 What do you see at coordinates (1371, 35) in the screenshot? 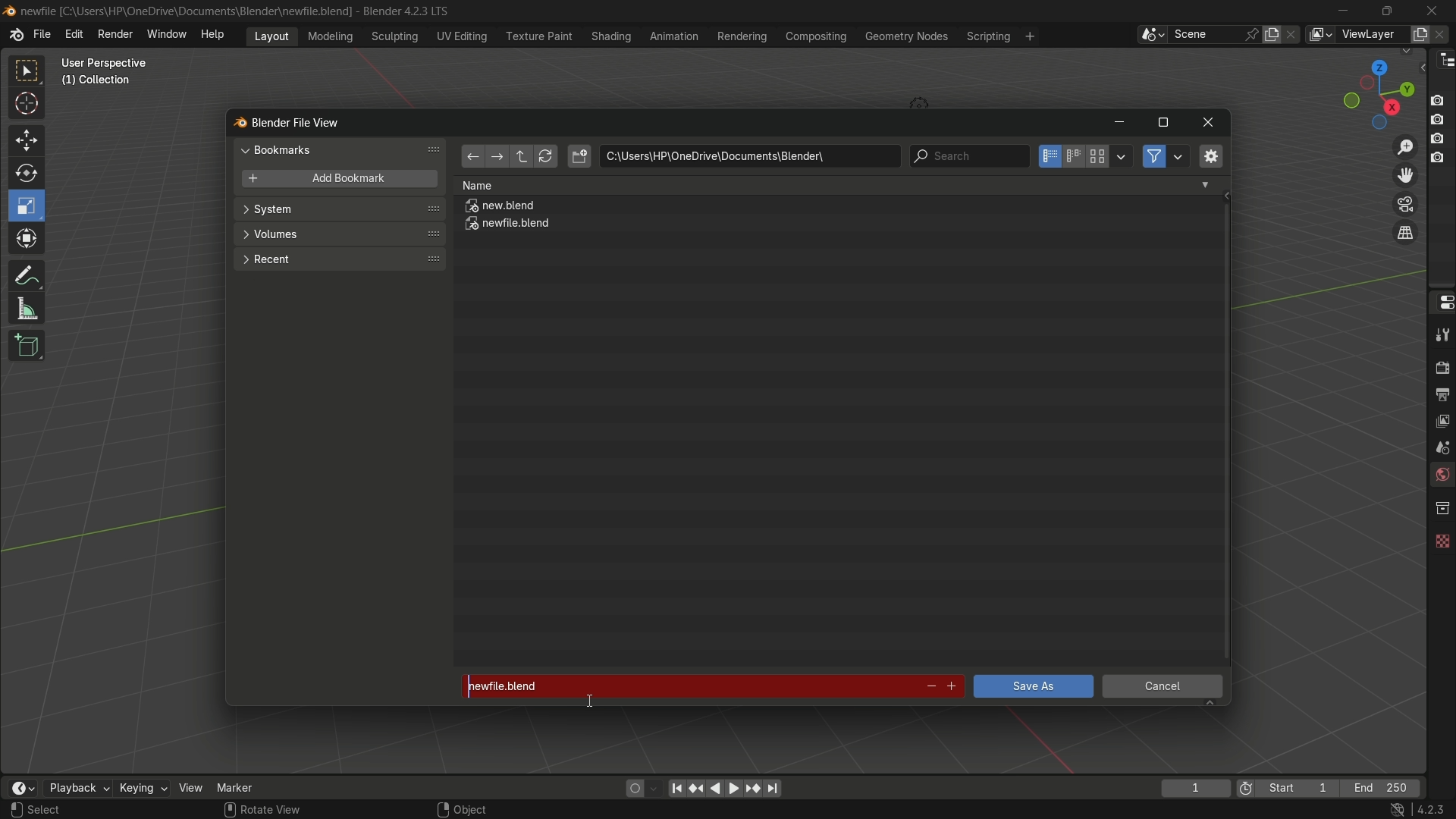
I see `view layer name` at bounding box center [1371, 35].